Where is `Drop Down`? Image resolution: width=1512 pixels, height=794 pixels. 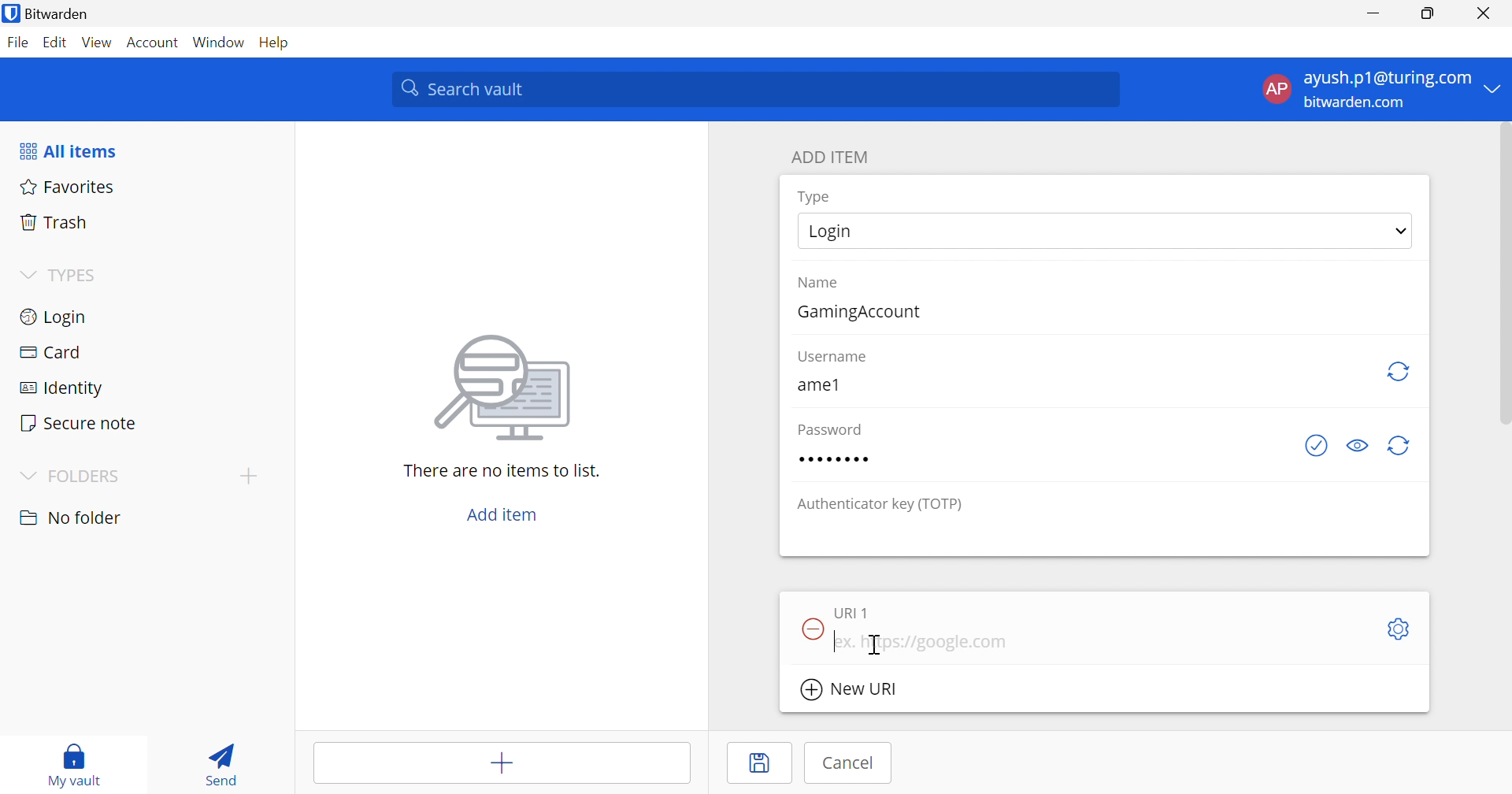
Drop Down is located at coordinates (1497, 87).